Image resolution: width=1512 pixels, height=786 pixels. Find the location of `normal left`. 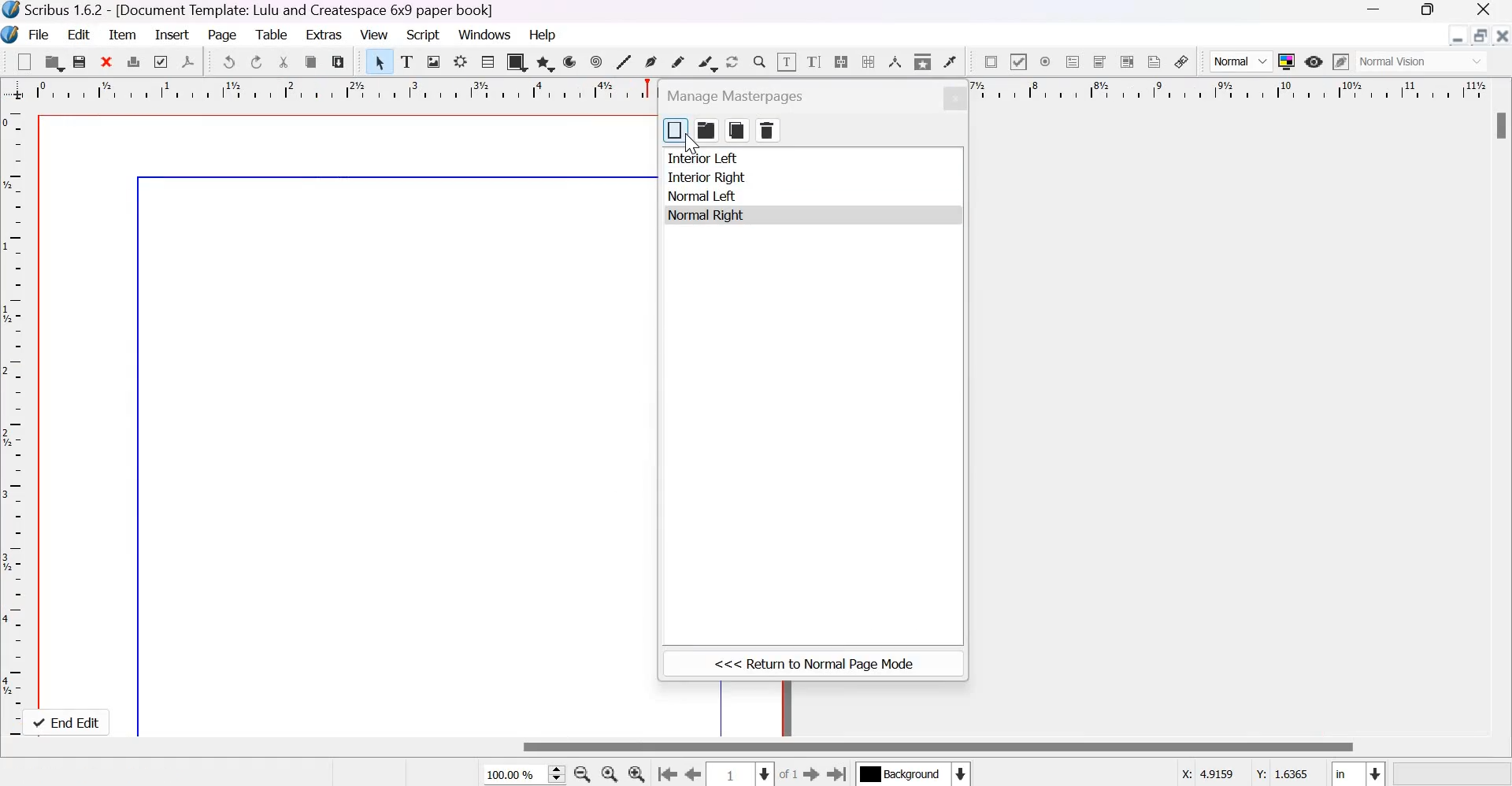

normal left is located at coordinates (702, 196).